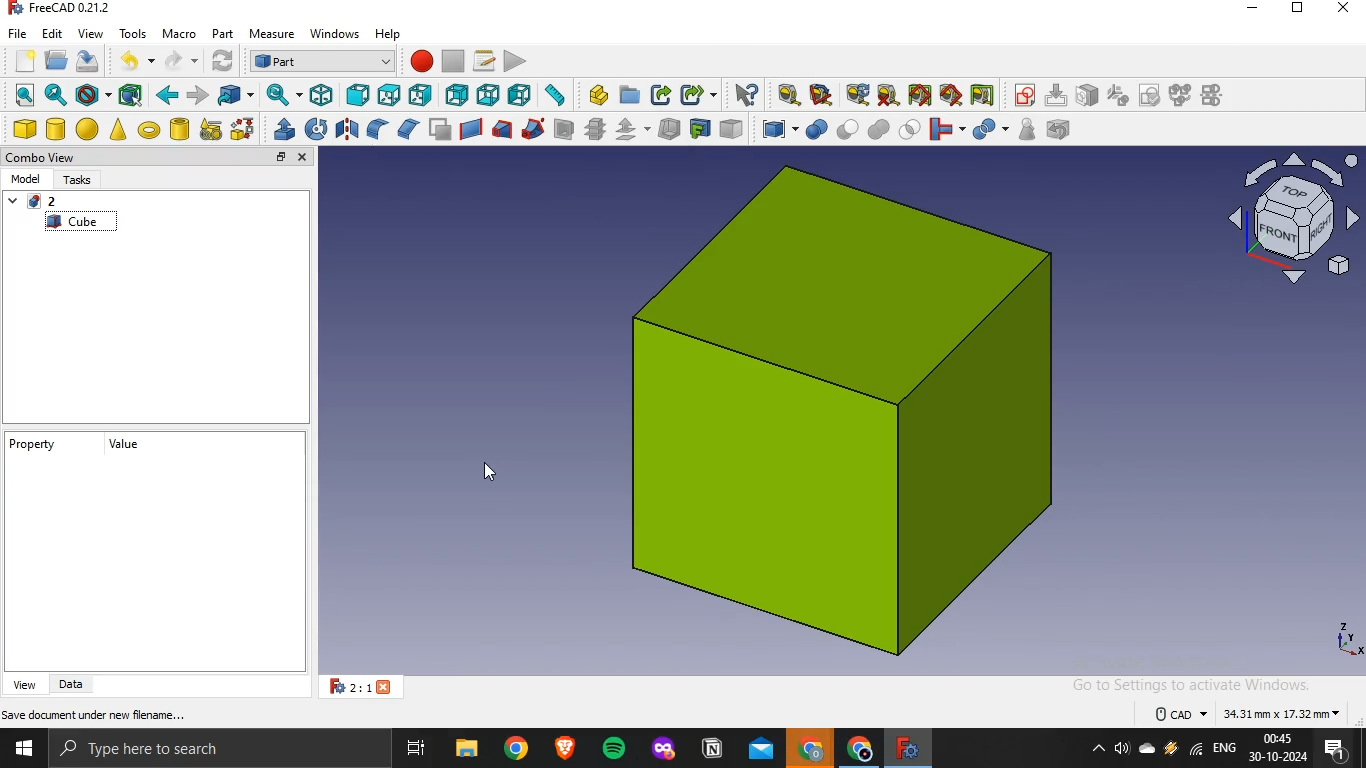 Image resolution: width=1366 pixels, height=768 pixels. What do you see at coordinates (88, 129) in the screenshot?
I see `sphere` at bounding box center [88, 129].